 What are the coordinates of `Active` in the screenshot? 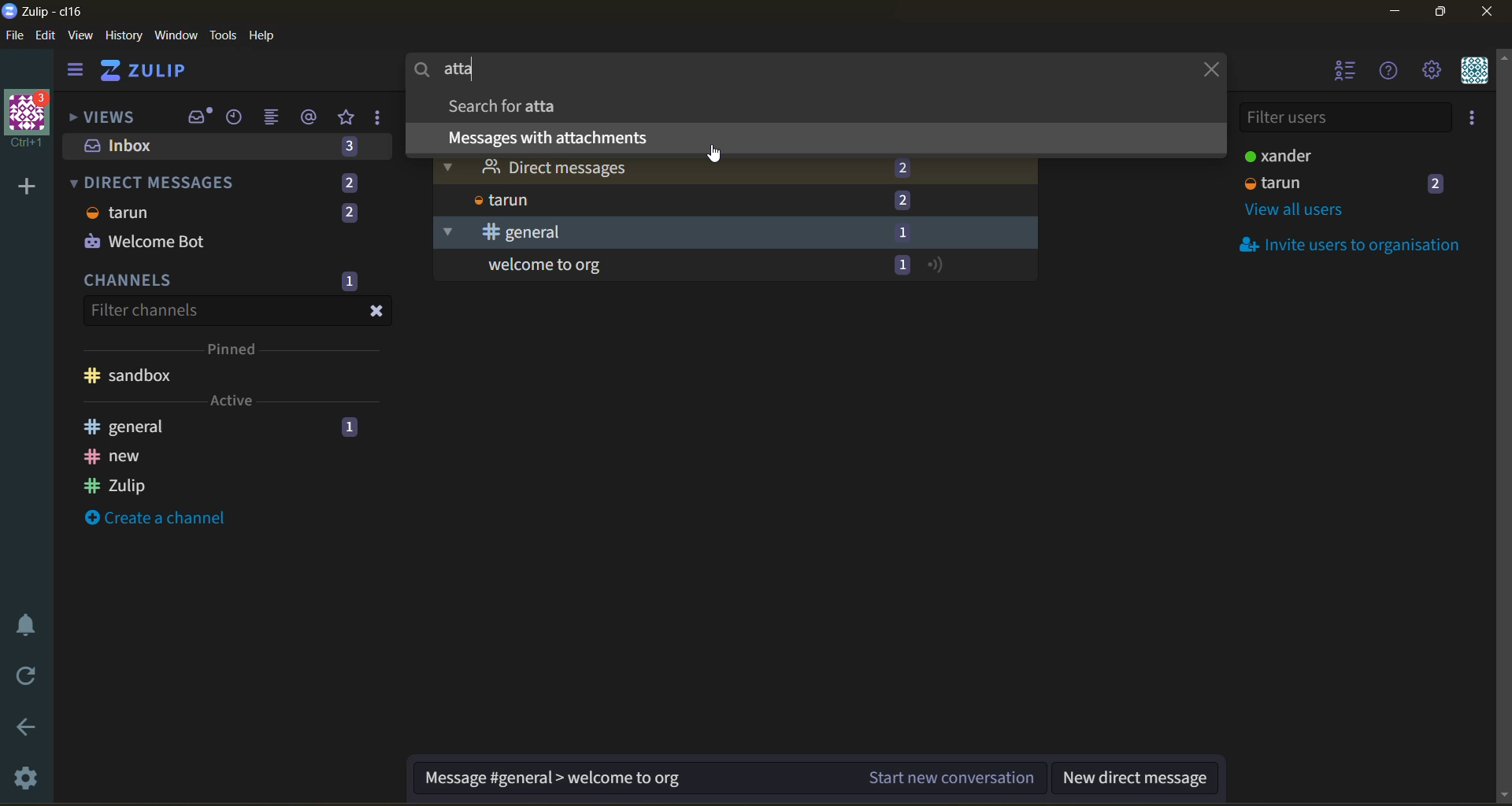 It's located at (232, 400).